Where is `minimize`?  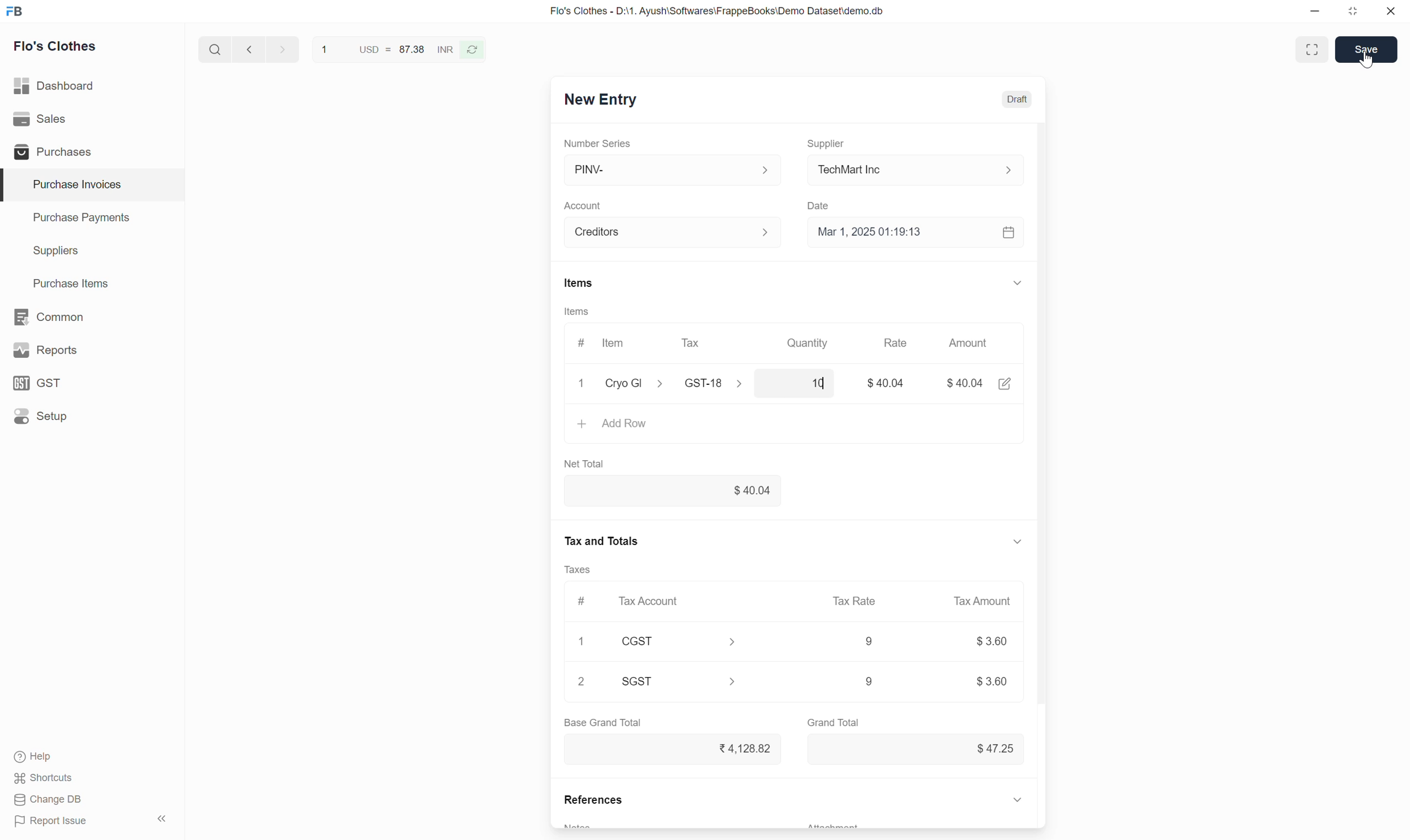 minimize is located at coordinates (1315, 14).